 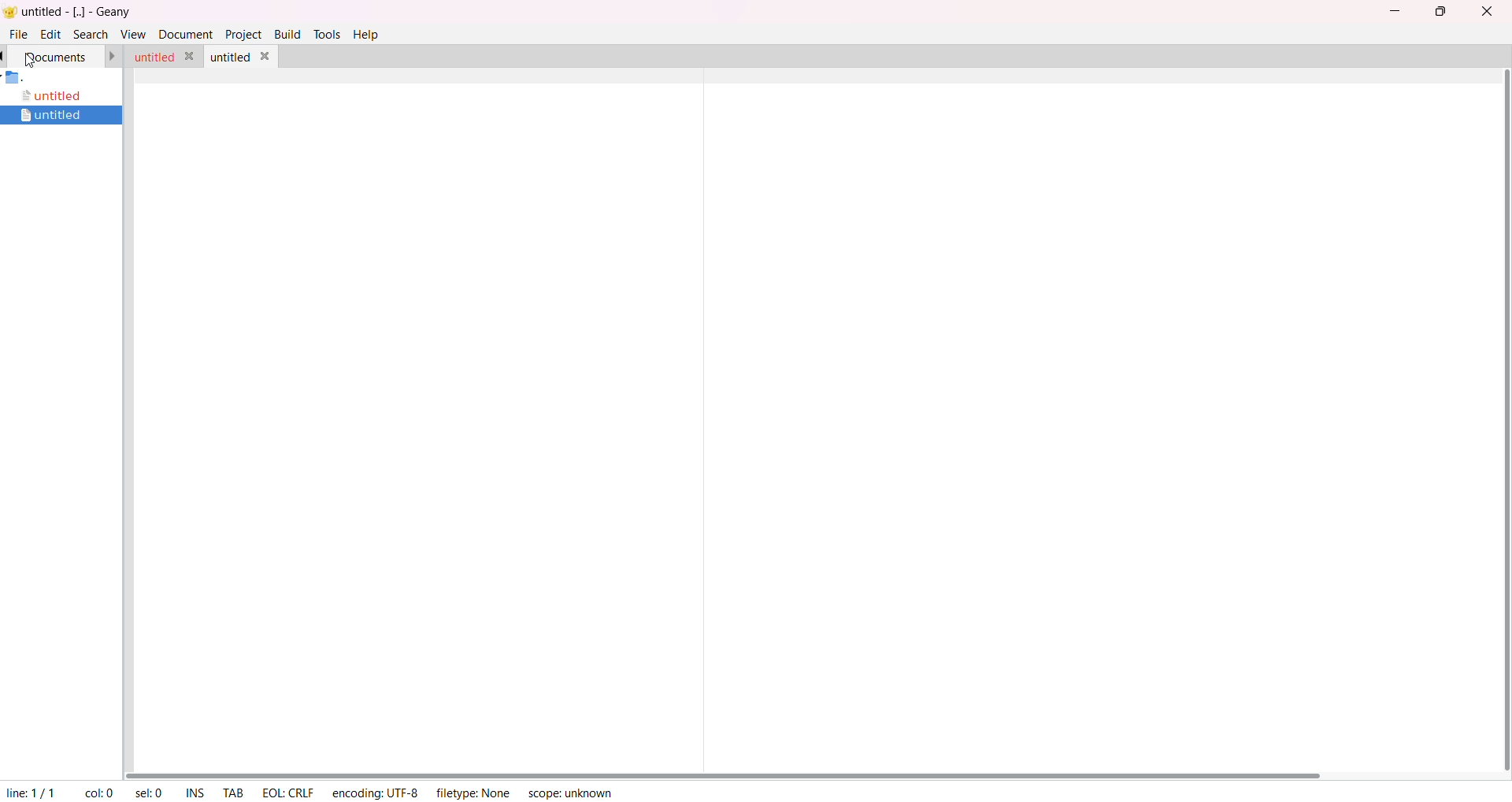 What do you see at coordinates (99, 793) in the screenshot?
I see `col: 0` at bounding box center [99, 793].